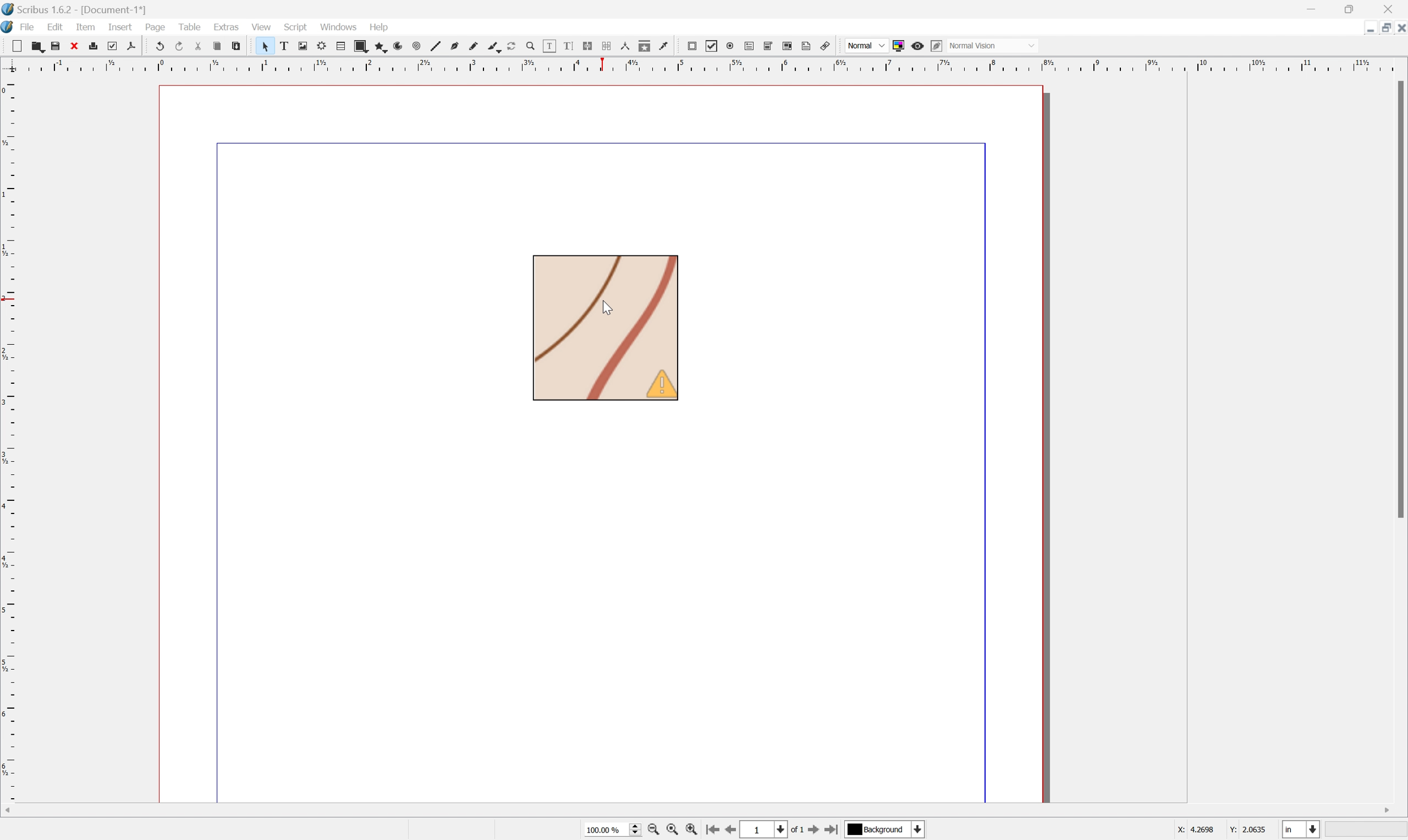 The width and height of the screenshot is (1408, 840). I want to click on of 1, so click(799, 832).